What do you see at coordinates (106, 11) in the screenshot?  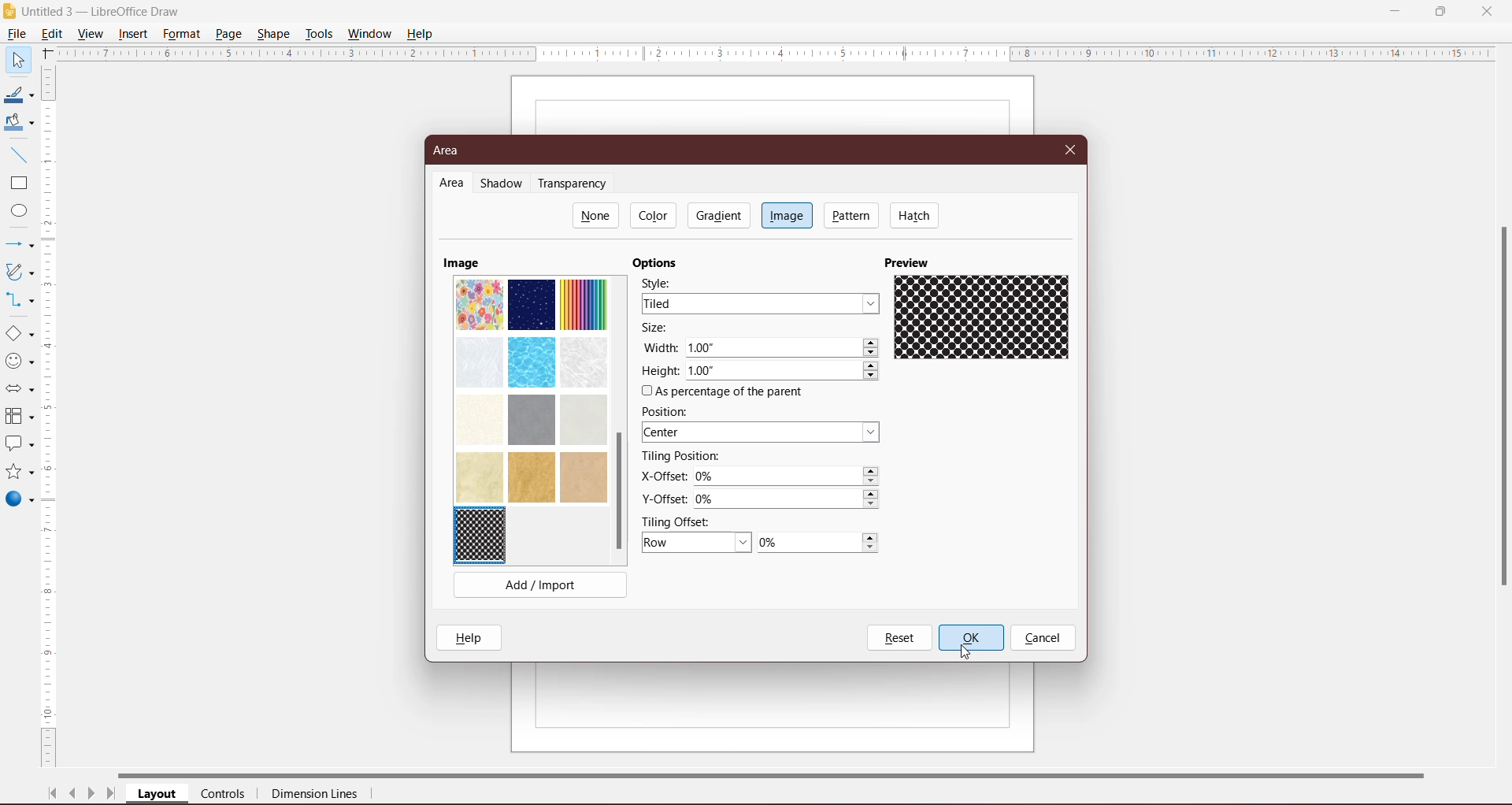 I see `Diagram Title - Application Name` at bounding box center [106, 11].